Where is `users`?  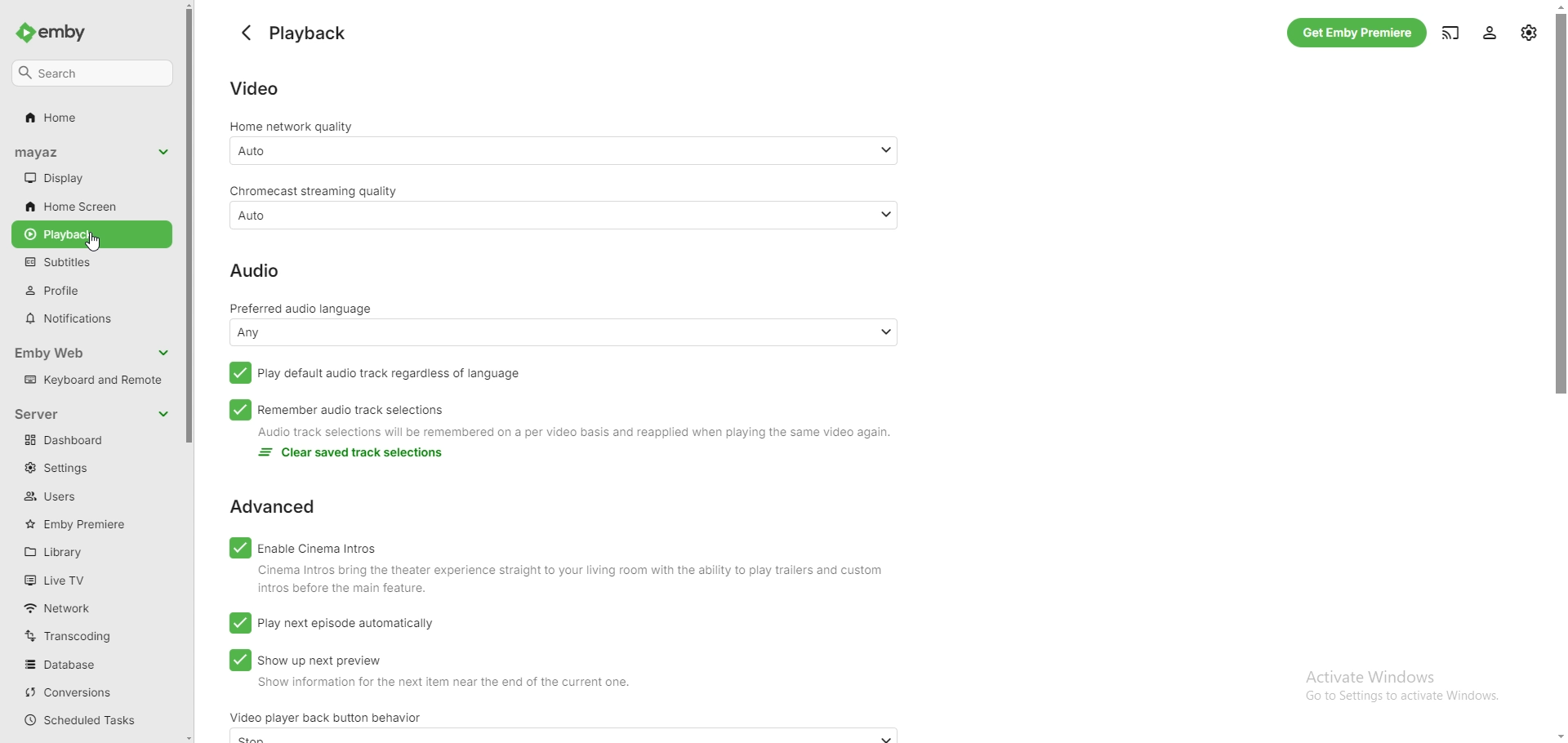
users is located at coordinates (82, 496).